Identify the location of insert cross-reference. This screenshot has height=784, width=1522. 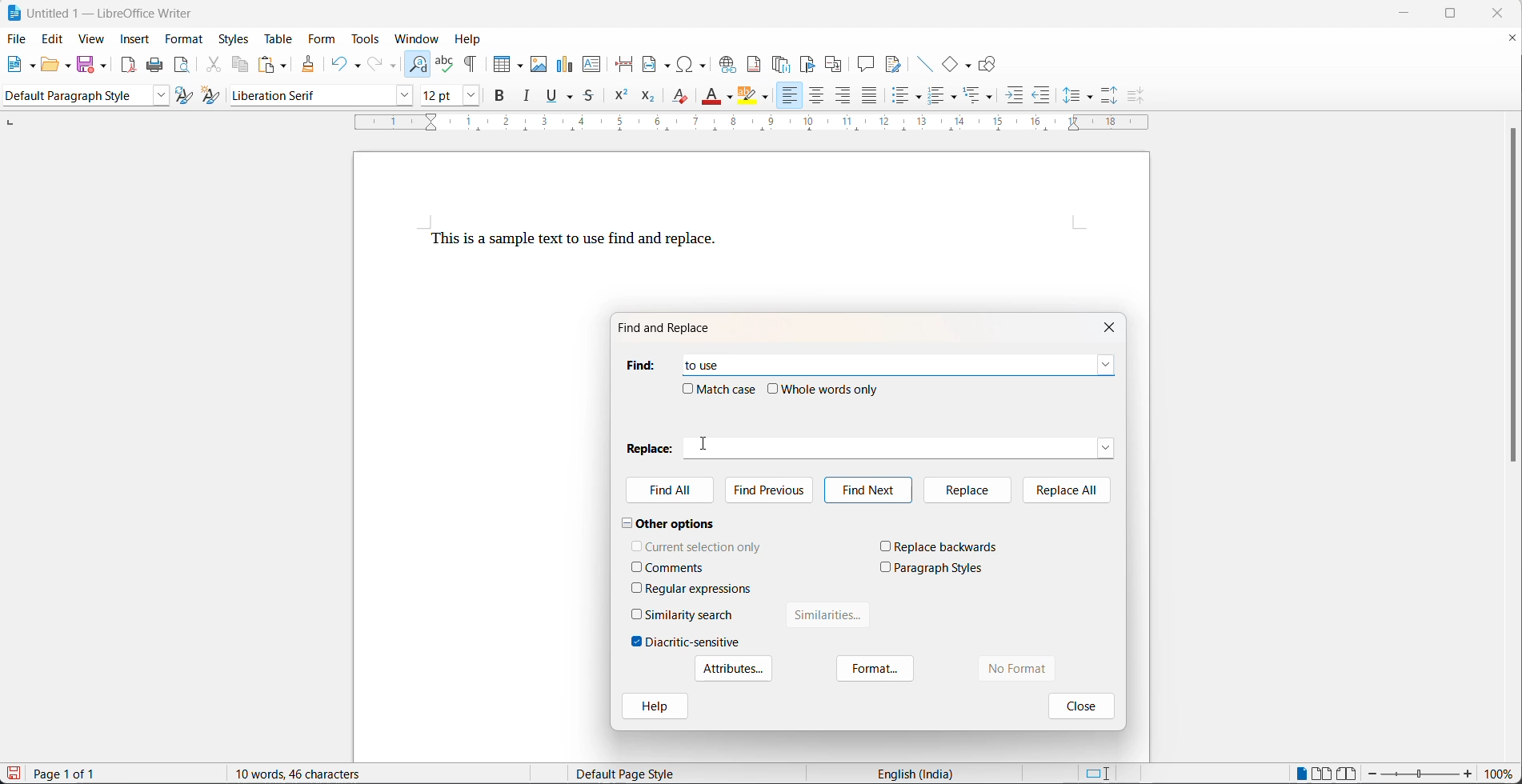
(834, 64).